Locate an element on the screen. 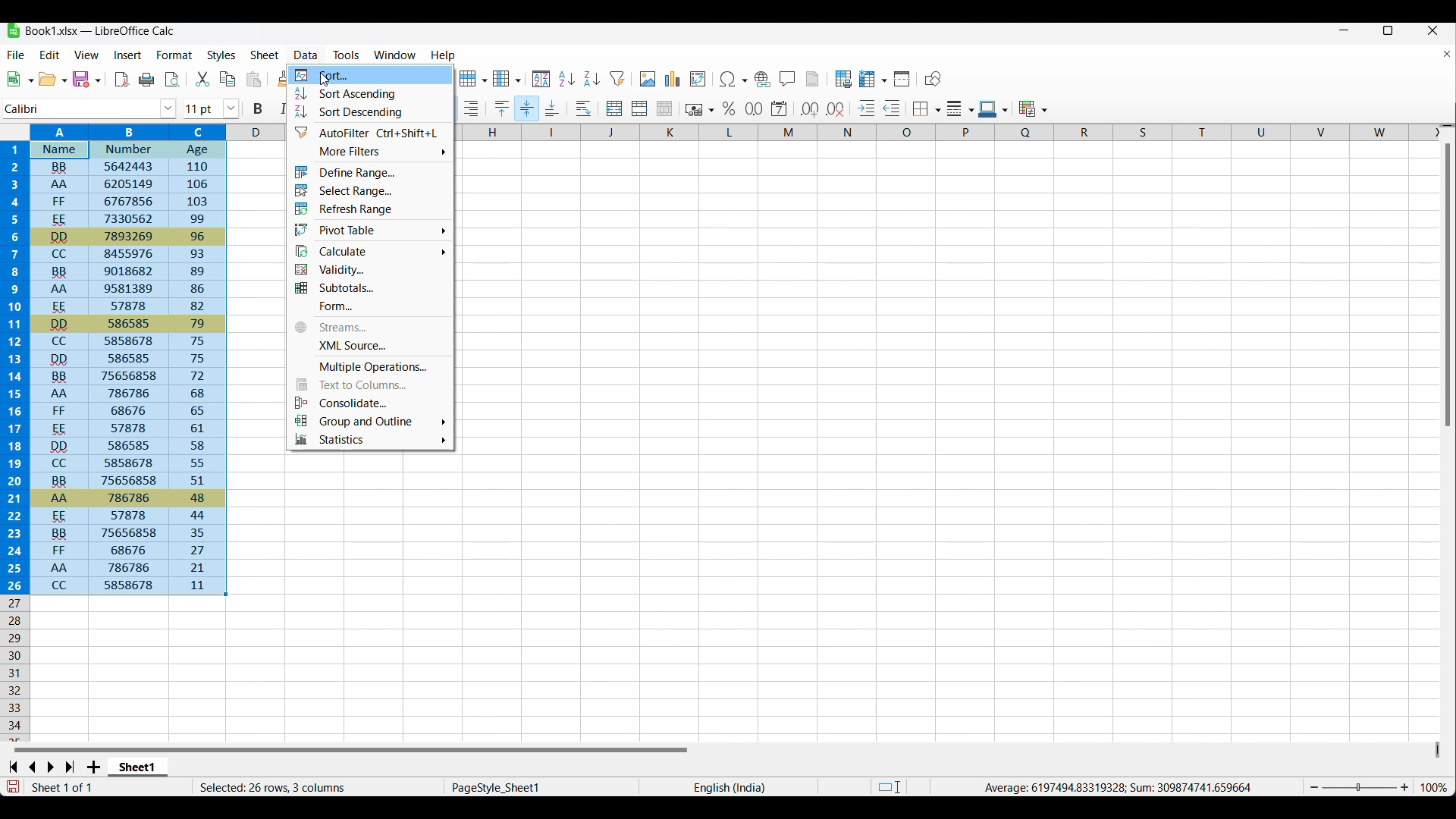 The height and width of the screenshot is (819, 1456). Rows and columns in current selection is located at coordinates (317, 787).